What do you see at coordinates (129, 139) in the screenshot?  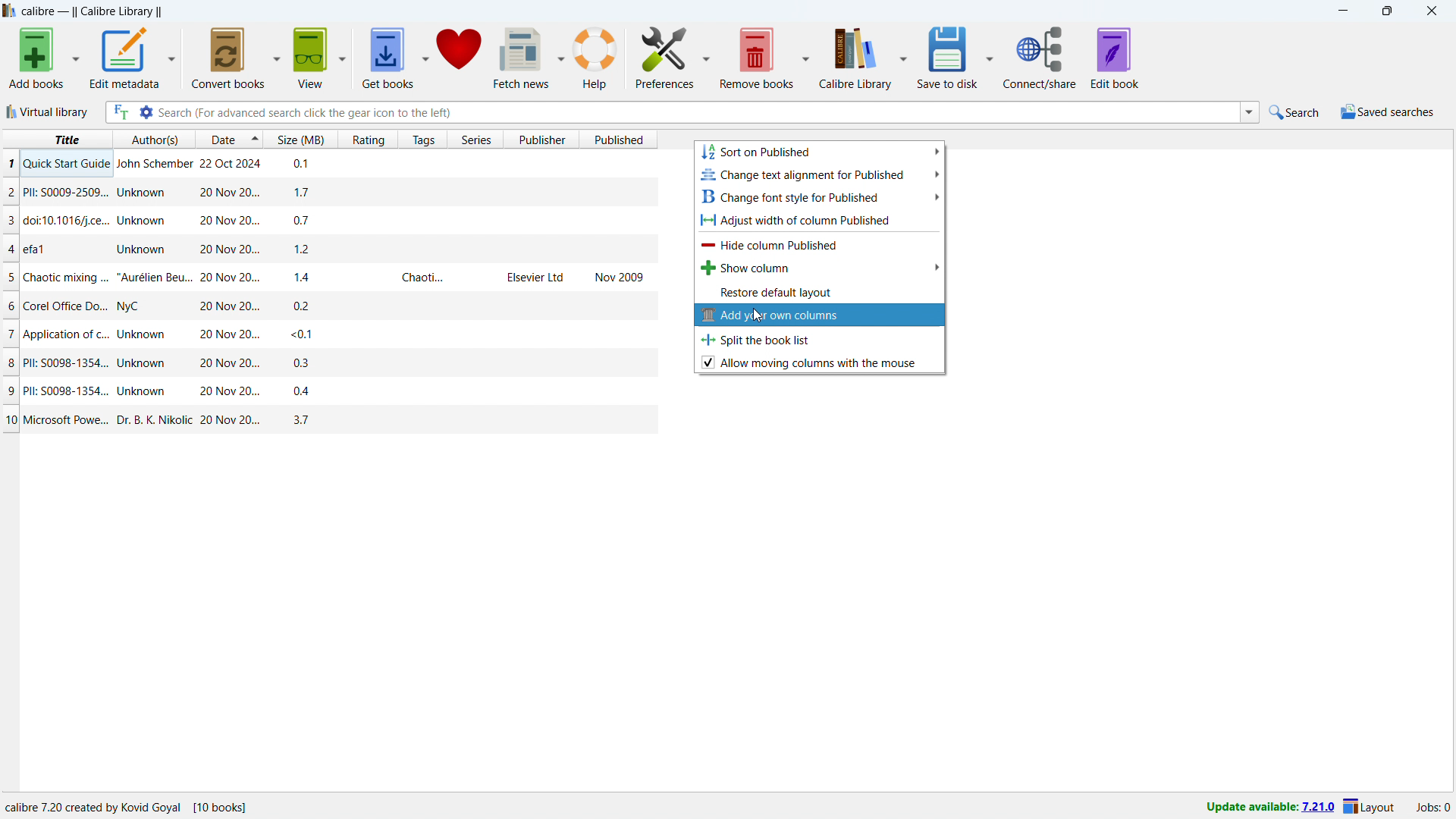 I see `title author date` at bounding box center [129, 139].